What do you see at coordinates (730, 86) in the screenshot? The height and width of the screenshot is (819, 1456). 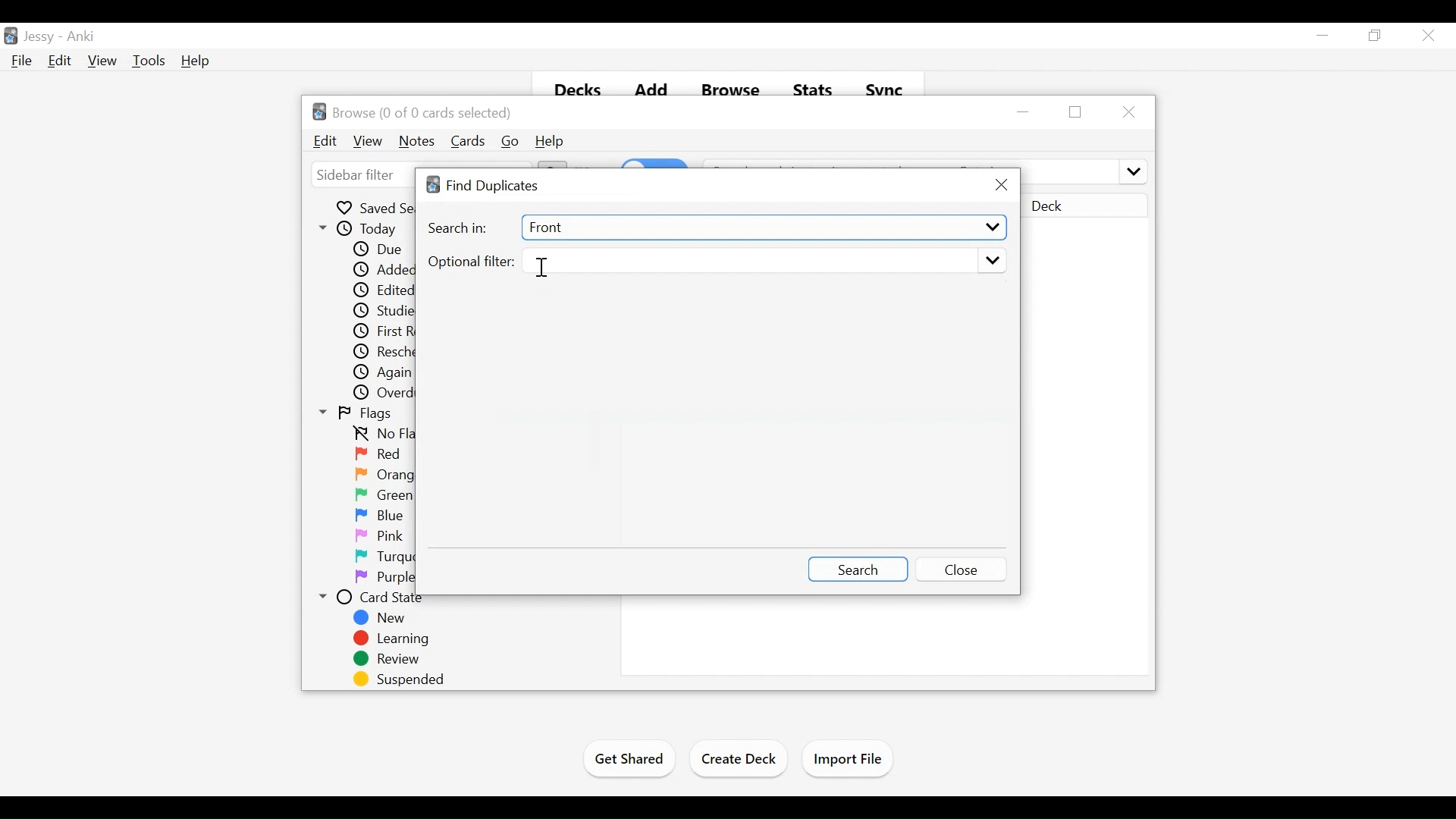 I see `Browse` at bounding box center [730, 86].